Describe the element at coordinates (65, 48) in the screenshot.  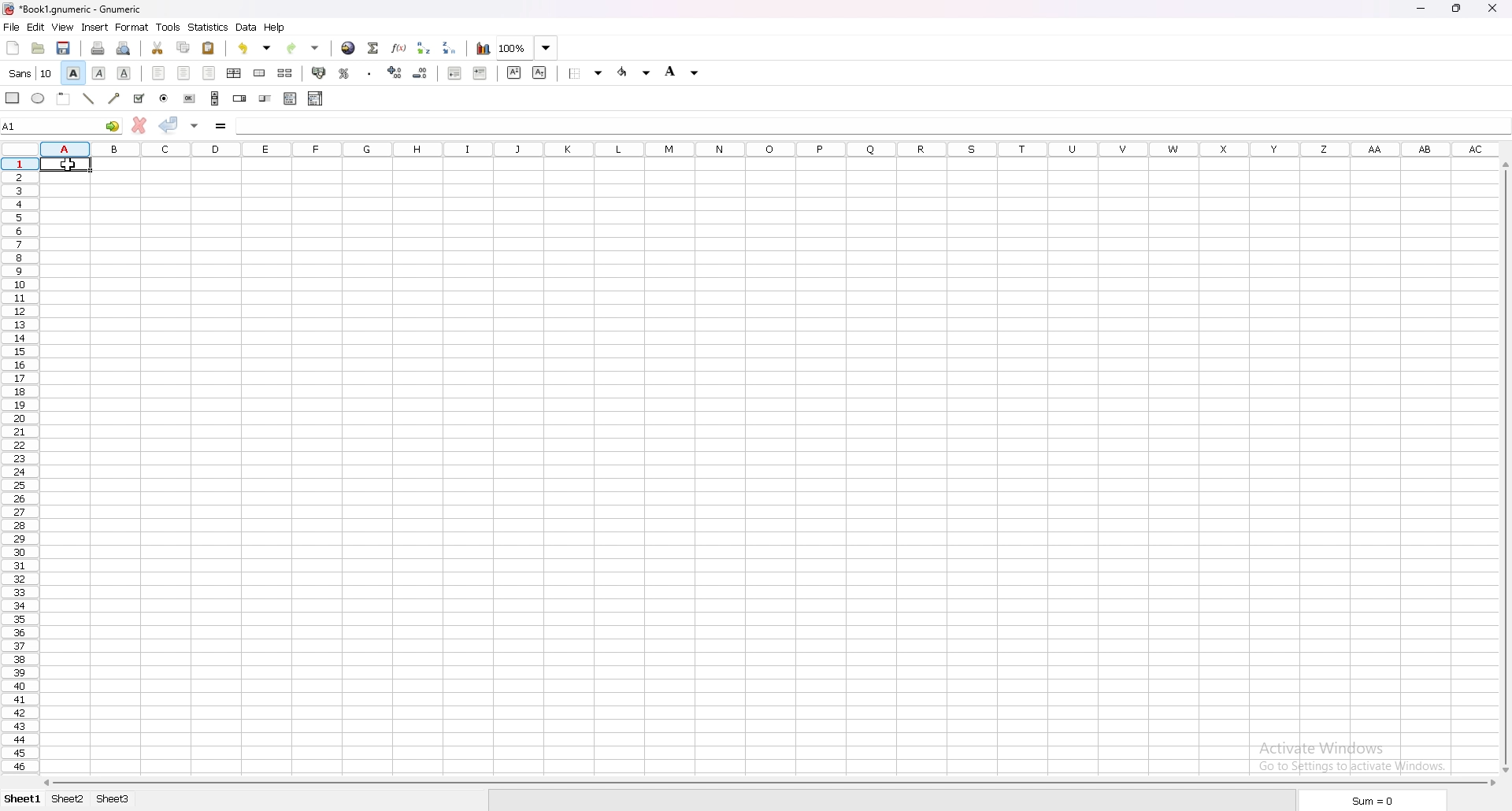
I see `save` at that location.